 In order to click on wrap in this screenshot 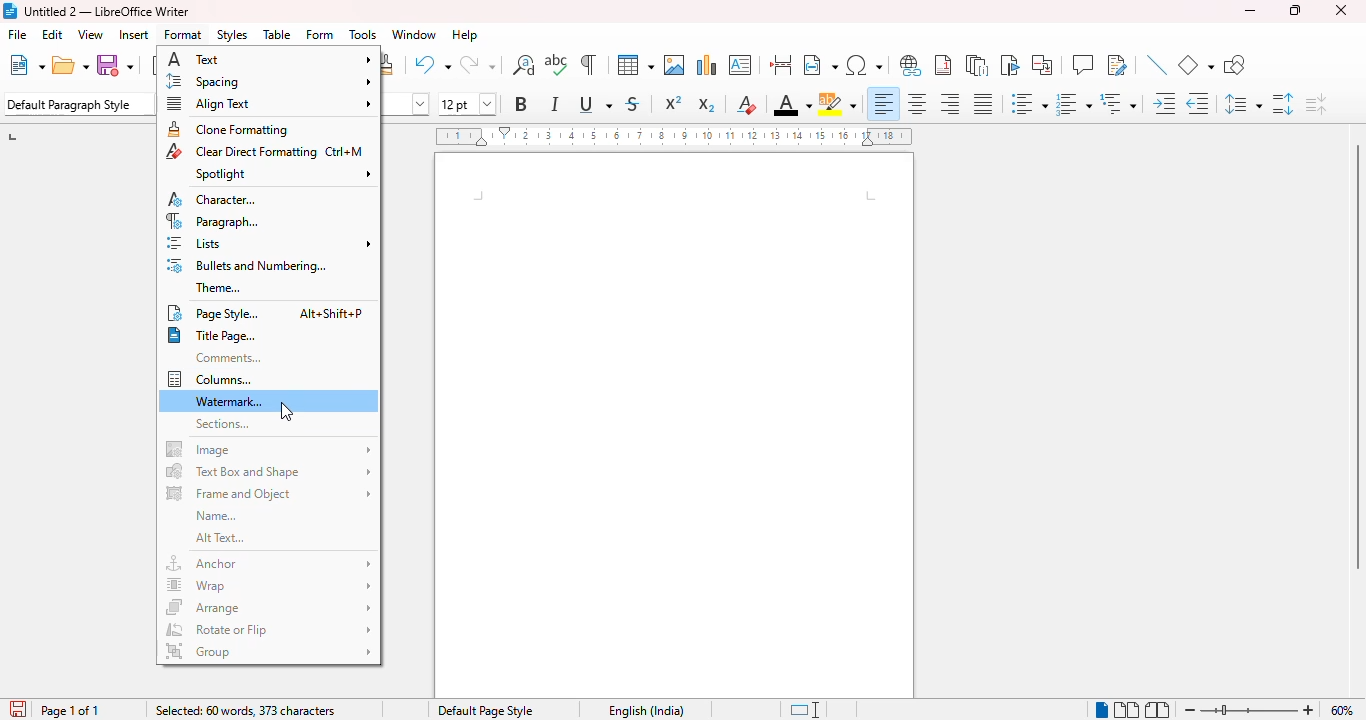, I will do `click(268, 585)`.